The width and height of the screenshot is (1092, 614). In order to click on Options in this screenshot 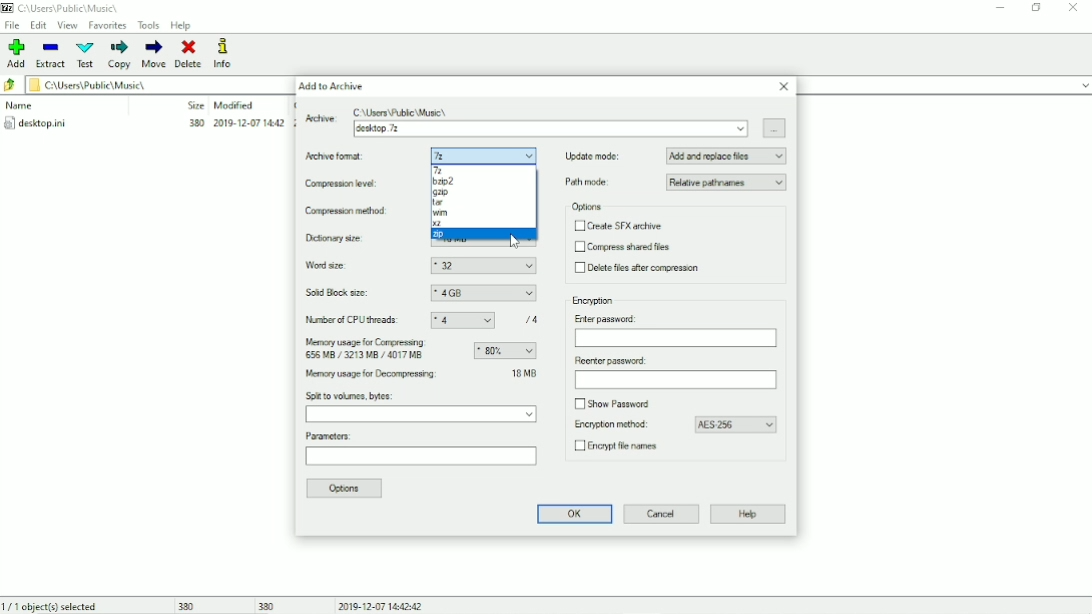, I will do `click(586, 207)`.